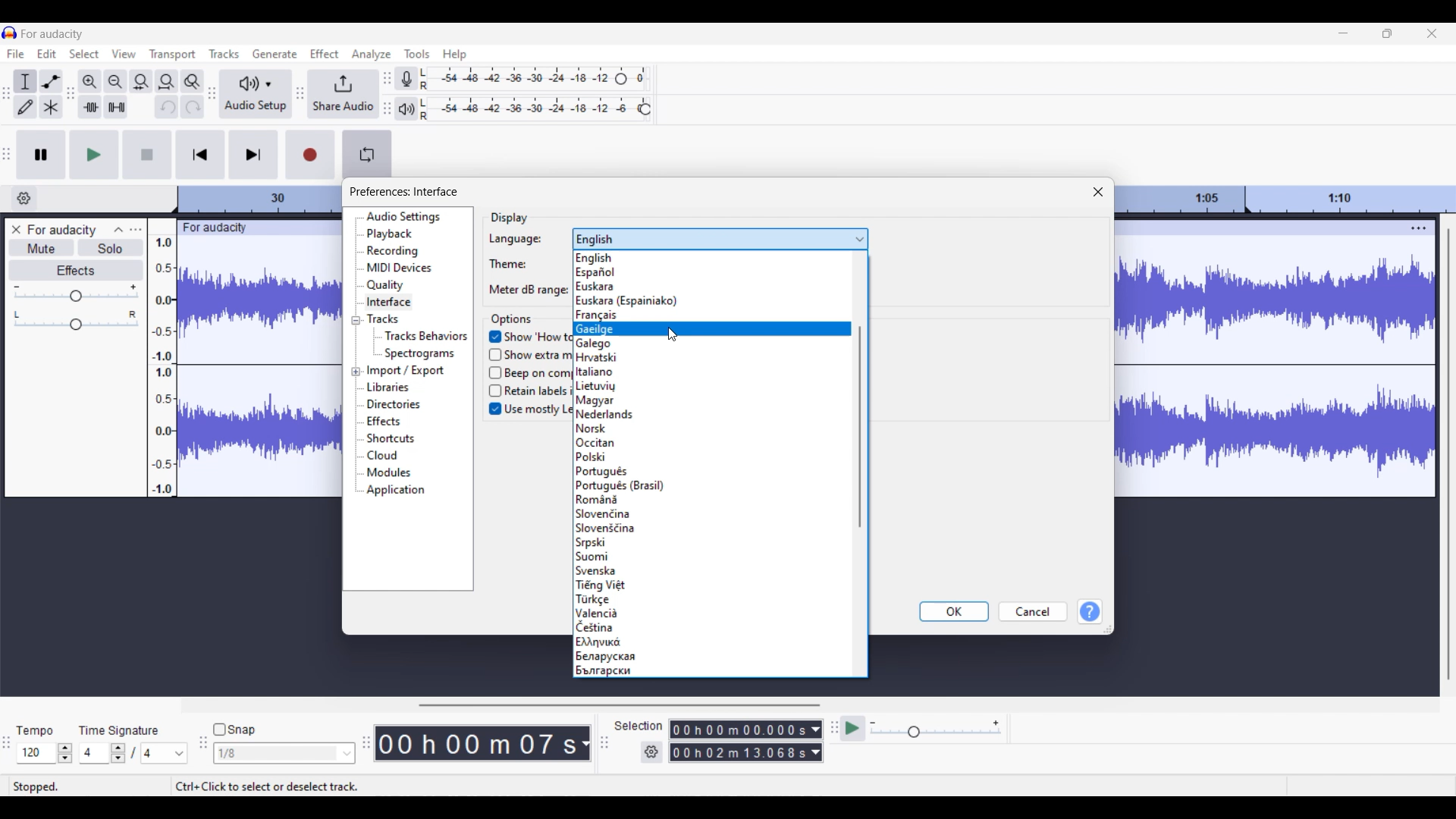 The width and height of the screenshot is (1456, 819). I want to click on Mute, so click(41, 248).